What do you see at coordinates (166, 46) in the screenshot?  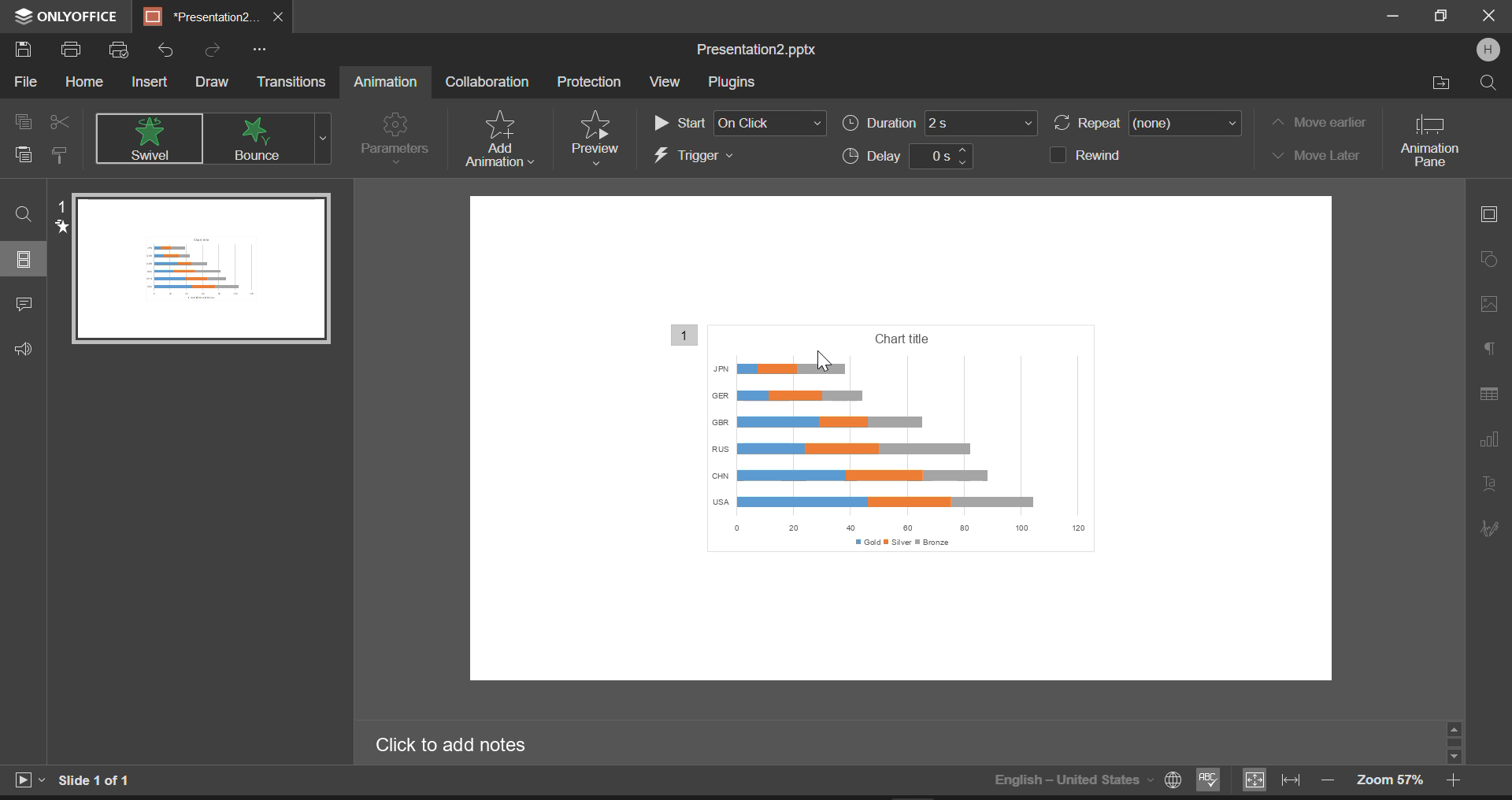 I see `Undo` at bounding box center [166, 46].